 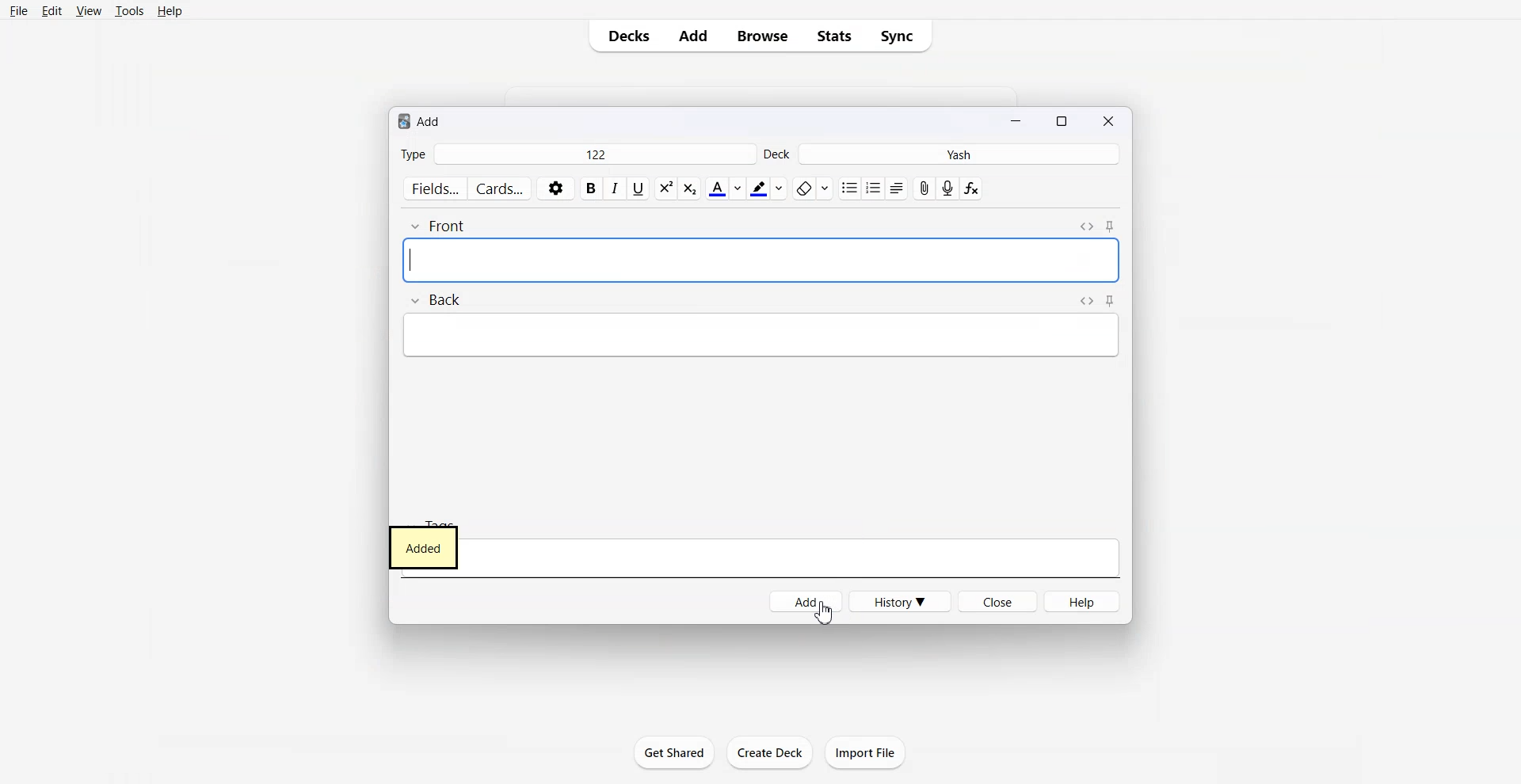 What do you see at coordinates (555, 188) in the screenshot?
I see `Settings` at bounding box center [555, 188].